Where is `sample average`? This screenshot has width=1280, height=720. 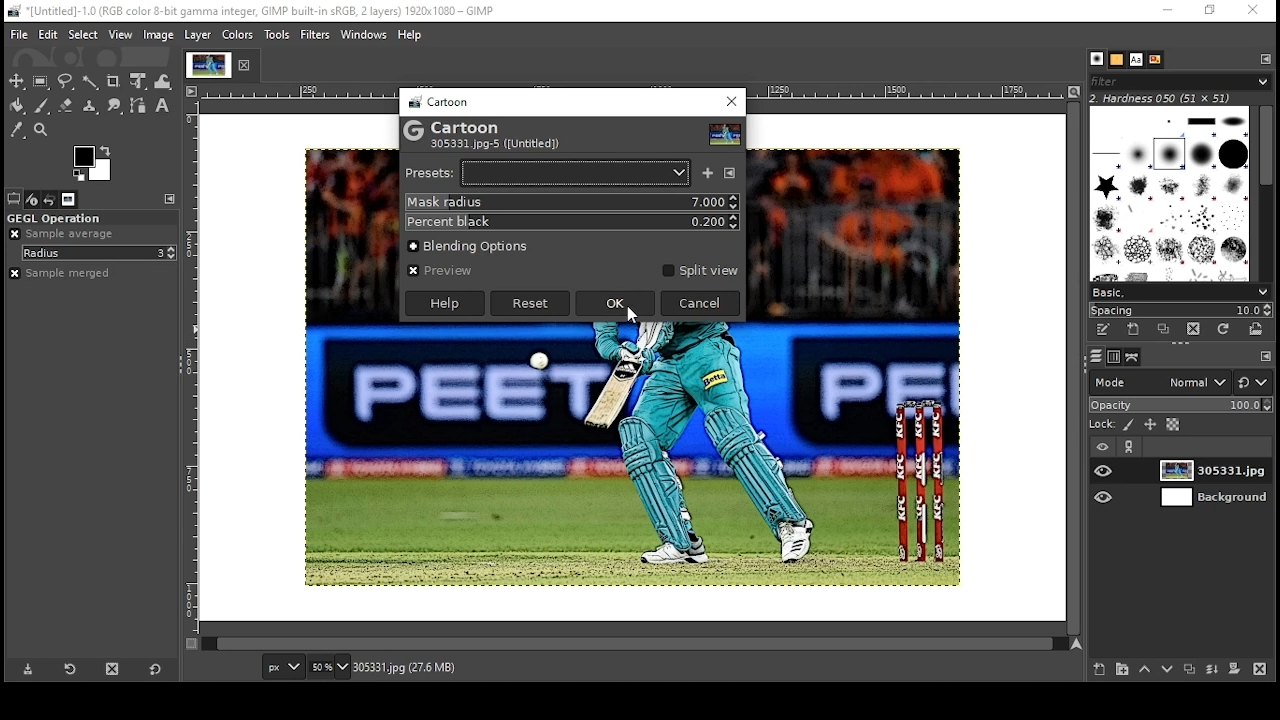
sample average is located at coordinates (73, 234).